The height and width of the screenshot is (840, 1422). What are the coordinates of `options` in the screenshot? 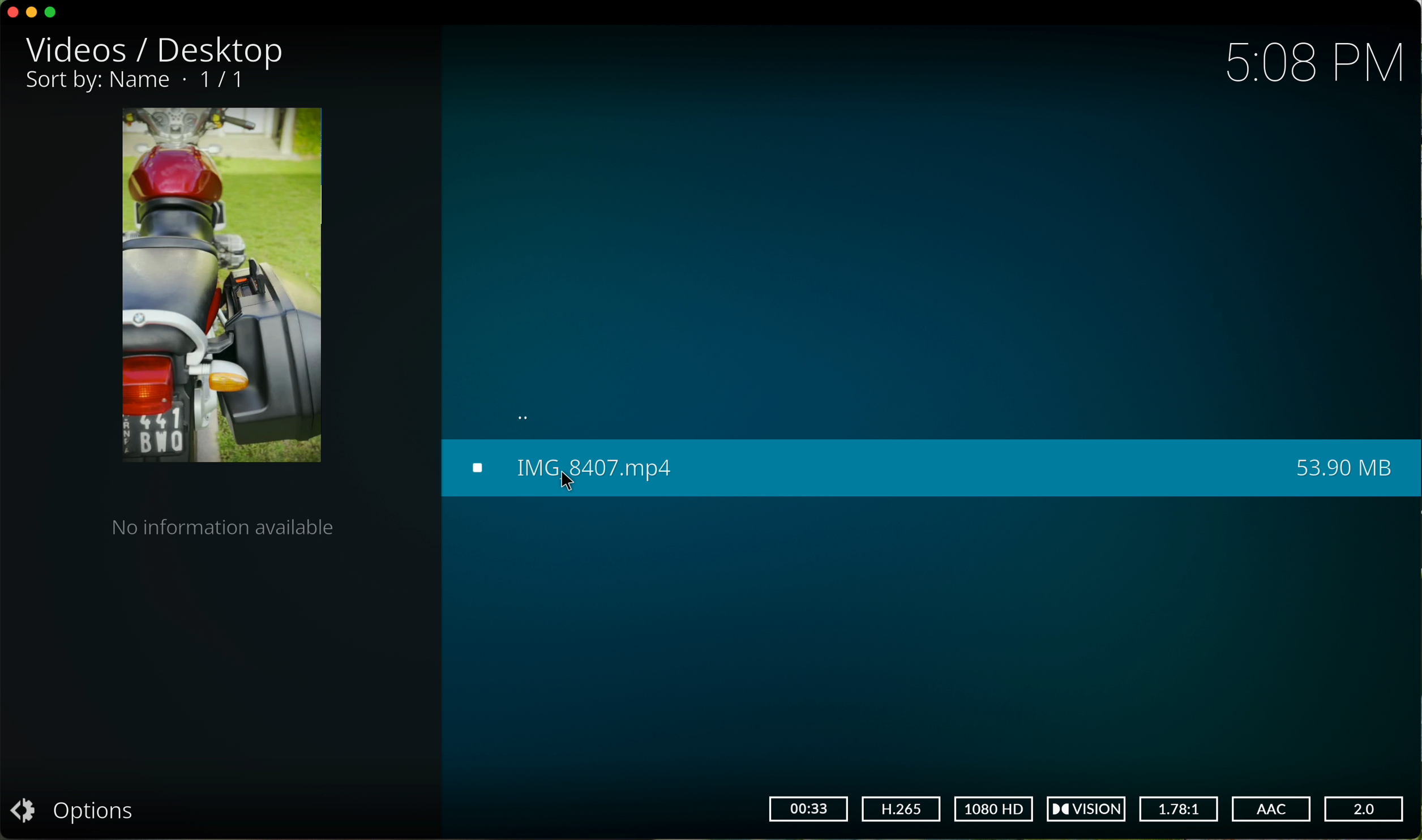 It's located at (81, 810).